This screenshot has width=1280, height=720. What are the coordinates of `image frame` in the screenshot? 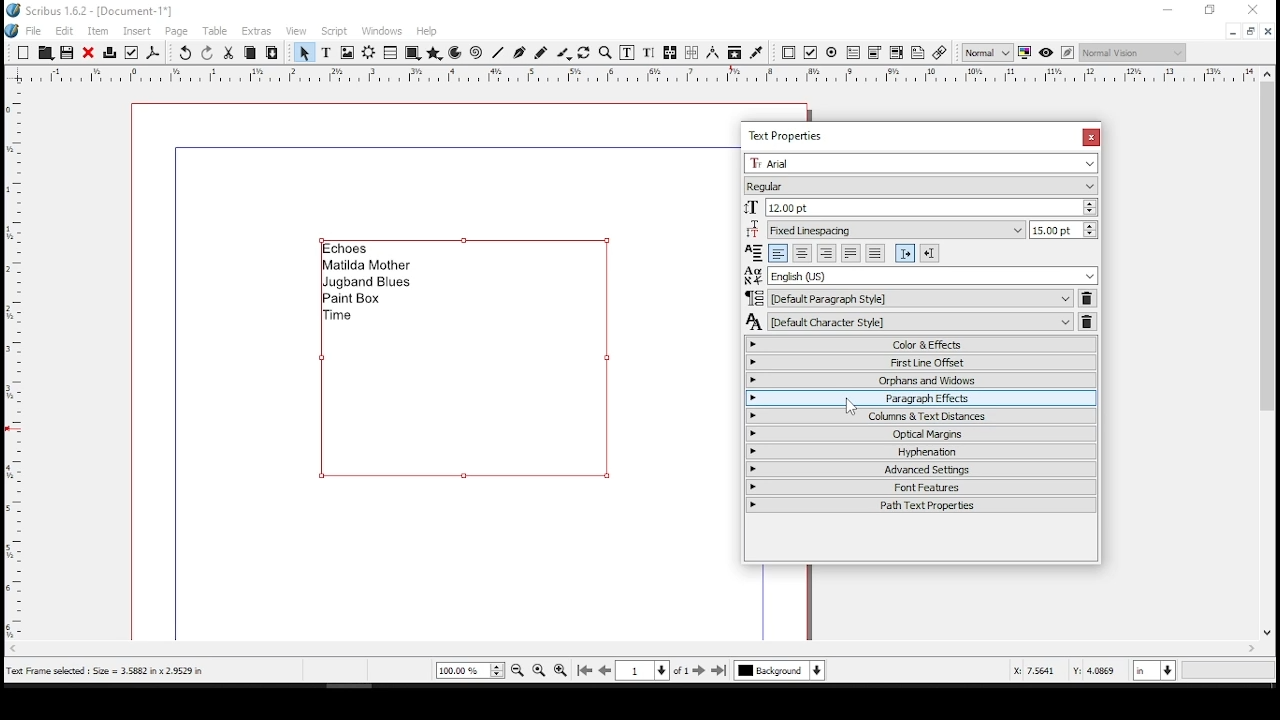 It's located at (347, 53).